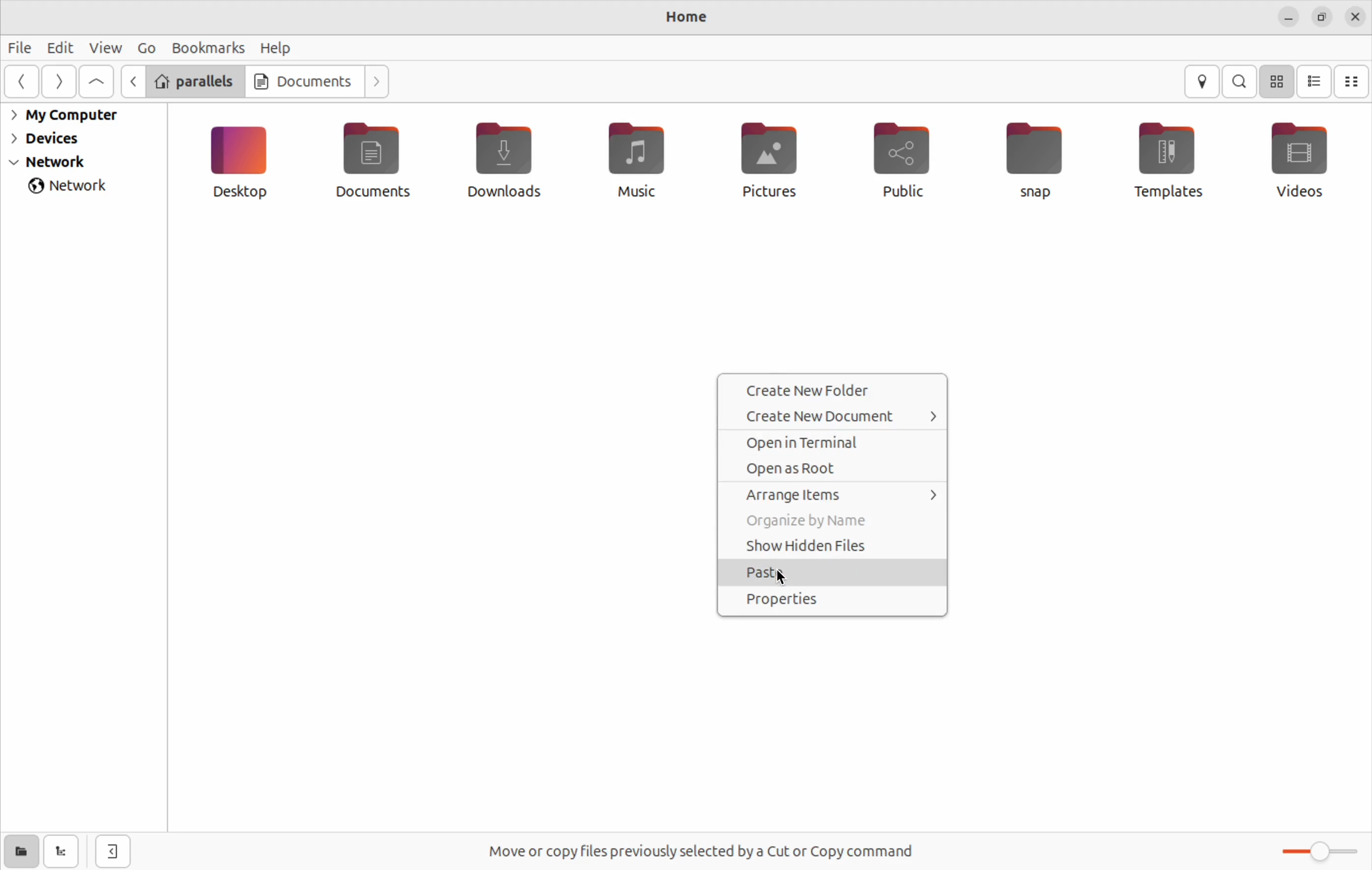 The height and width of the screenshot is (870, 1372). Describe the element at coordinates (644, 169) in the screenshot. I see `music files` at that location.